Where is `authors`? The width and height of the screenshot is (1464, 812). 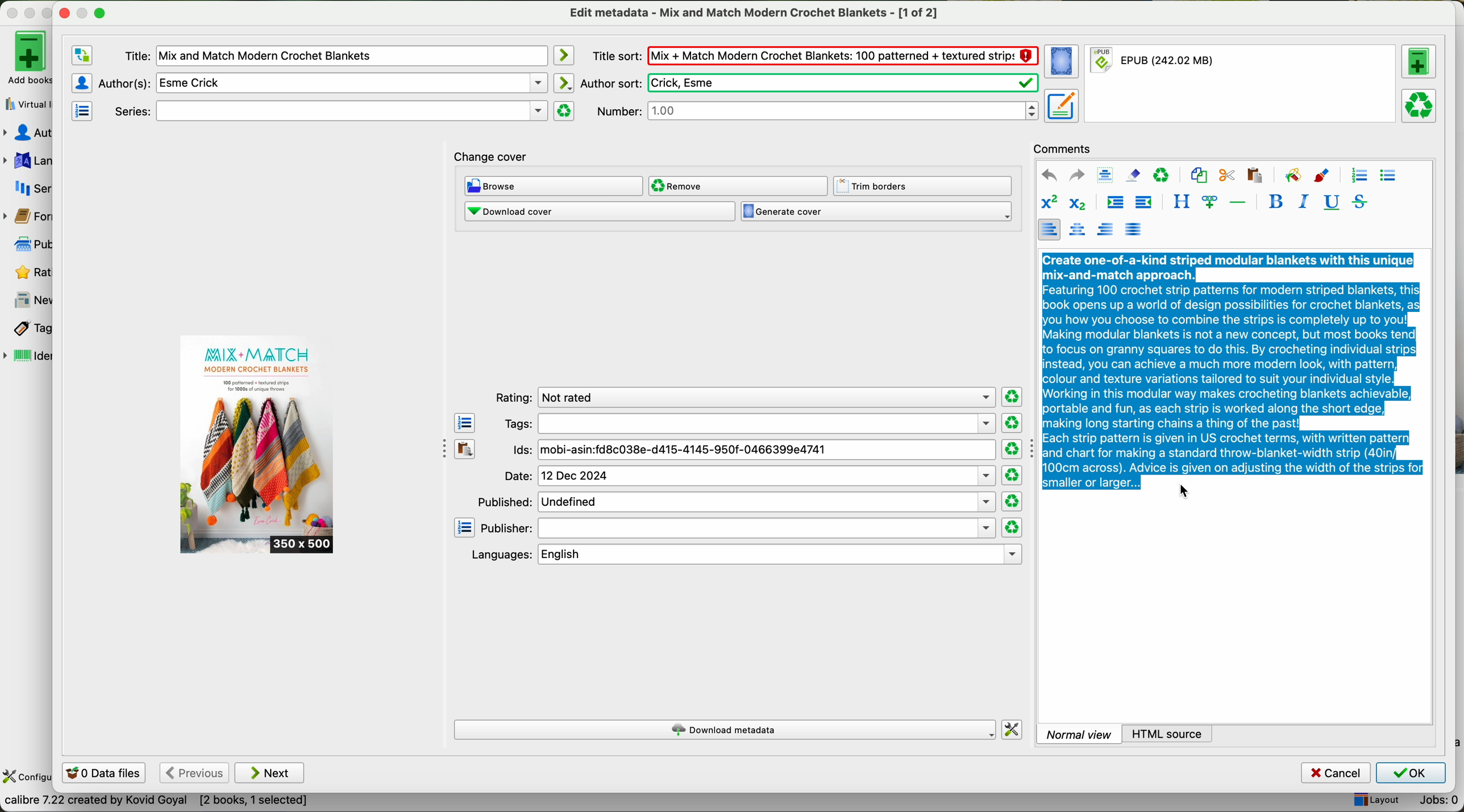
authors is located at coordinates (27, 133).